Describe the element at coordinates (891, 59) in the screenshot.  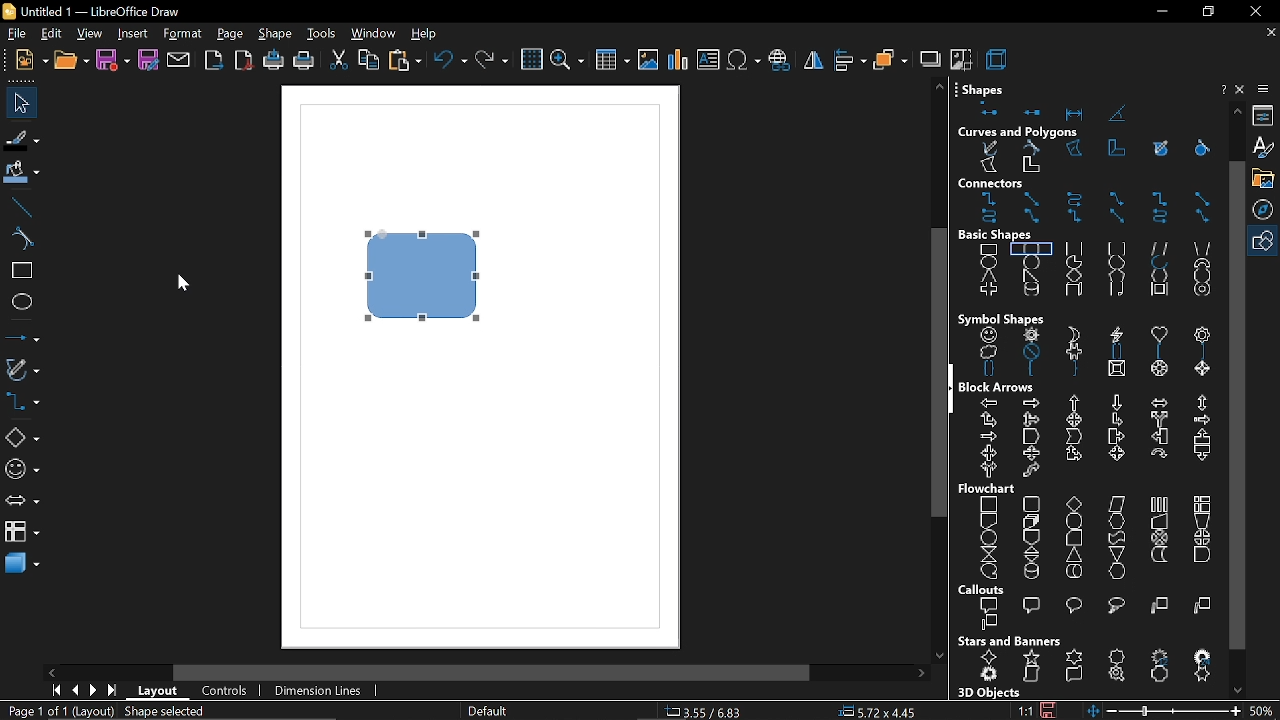
I see `arrange` at that location.